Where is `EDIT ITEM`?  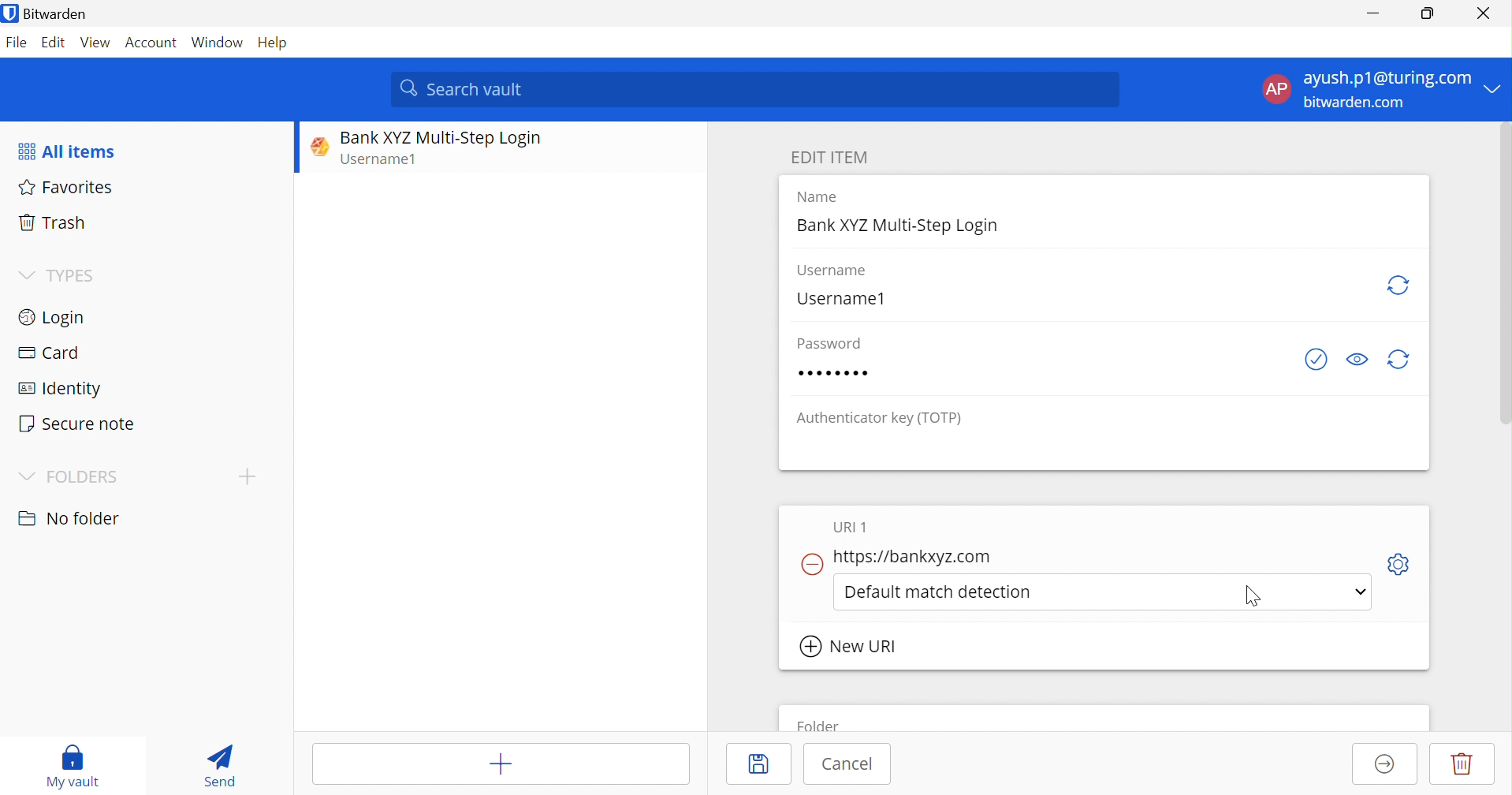
EDIT ITEM is located at coordinates (833, 158).